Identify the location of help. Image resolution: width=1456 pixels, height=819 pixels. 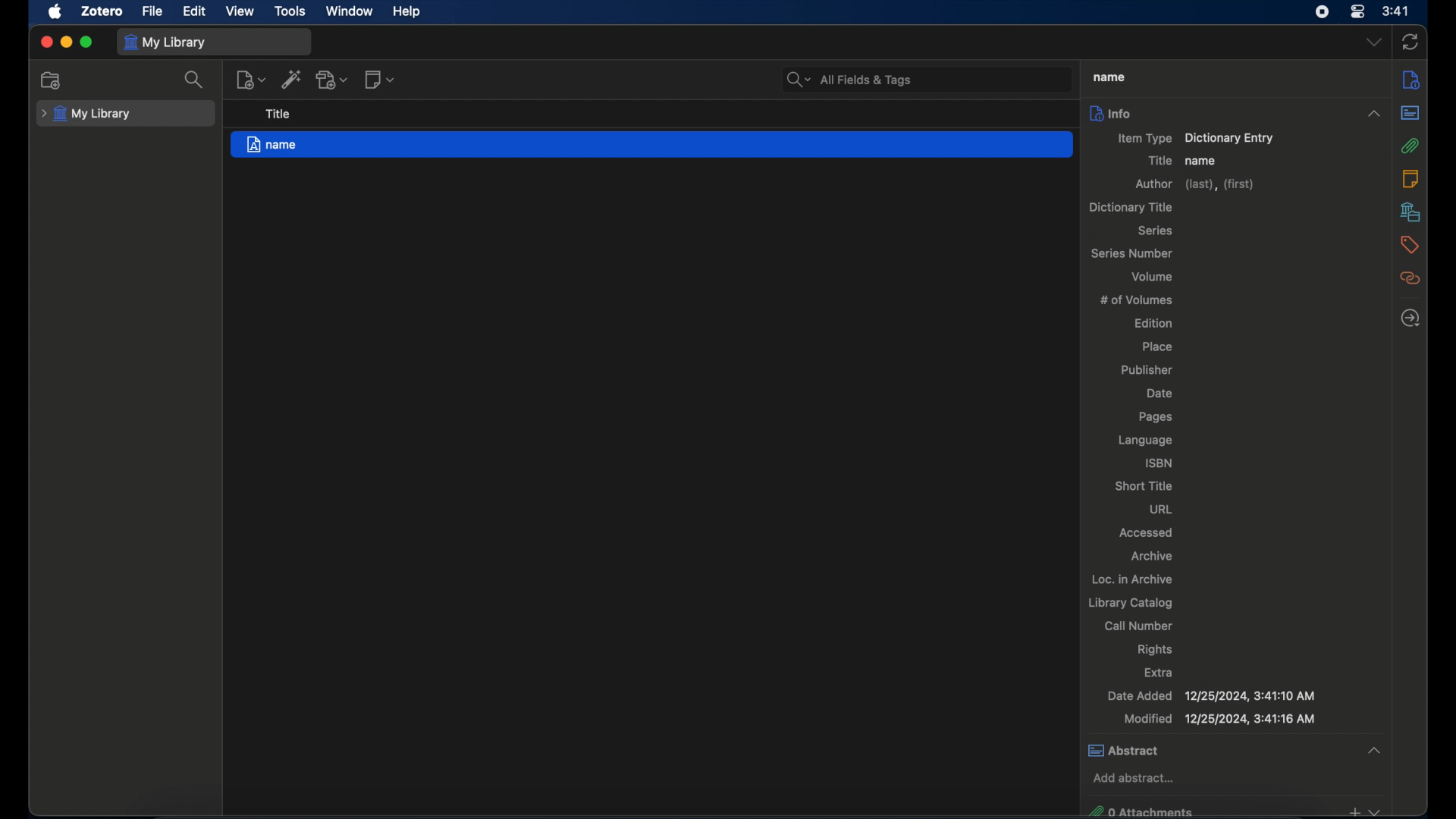
(408, 12).